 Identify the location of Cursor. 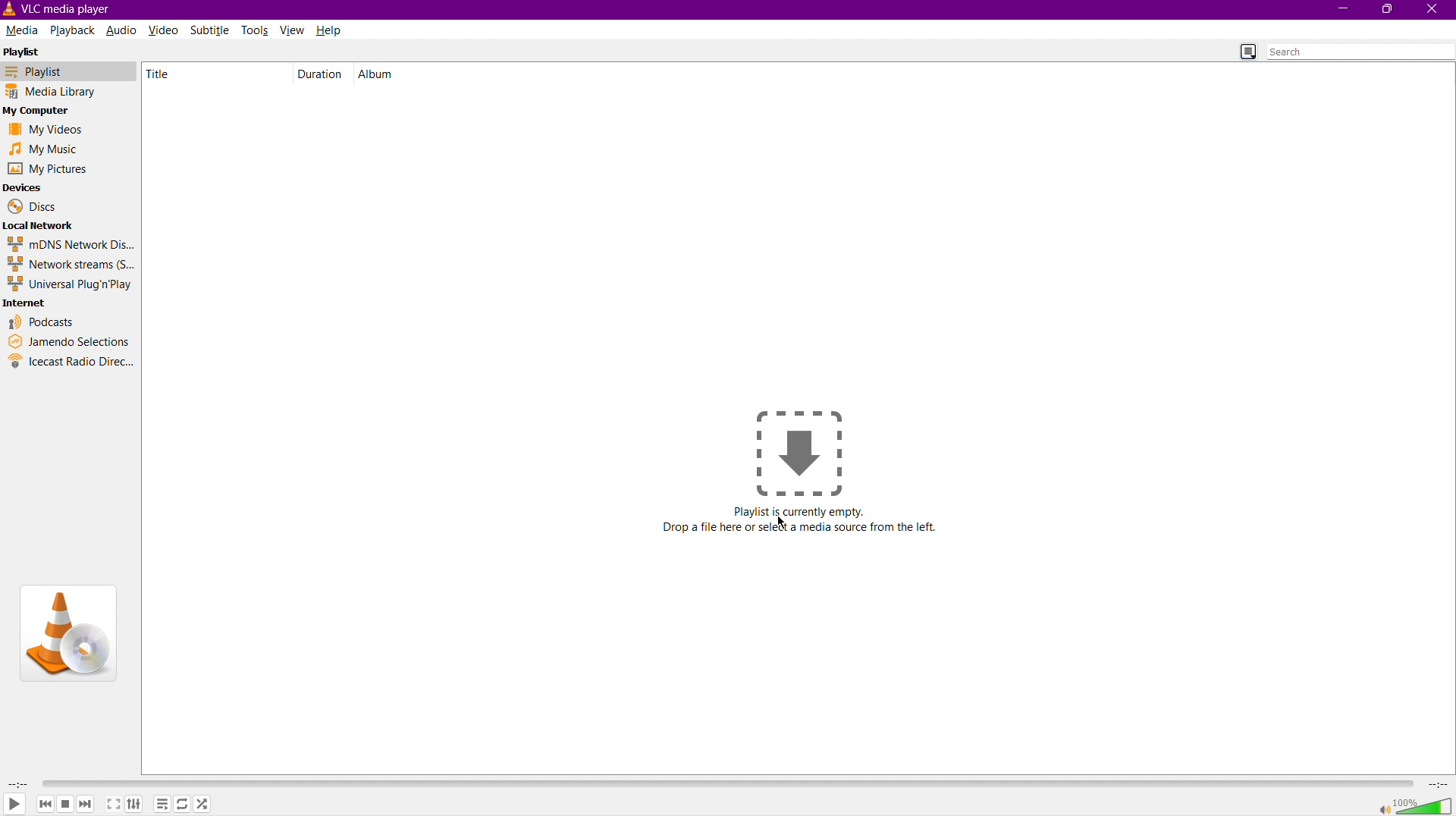
(783, 522).